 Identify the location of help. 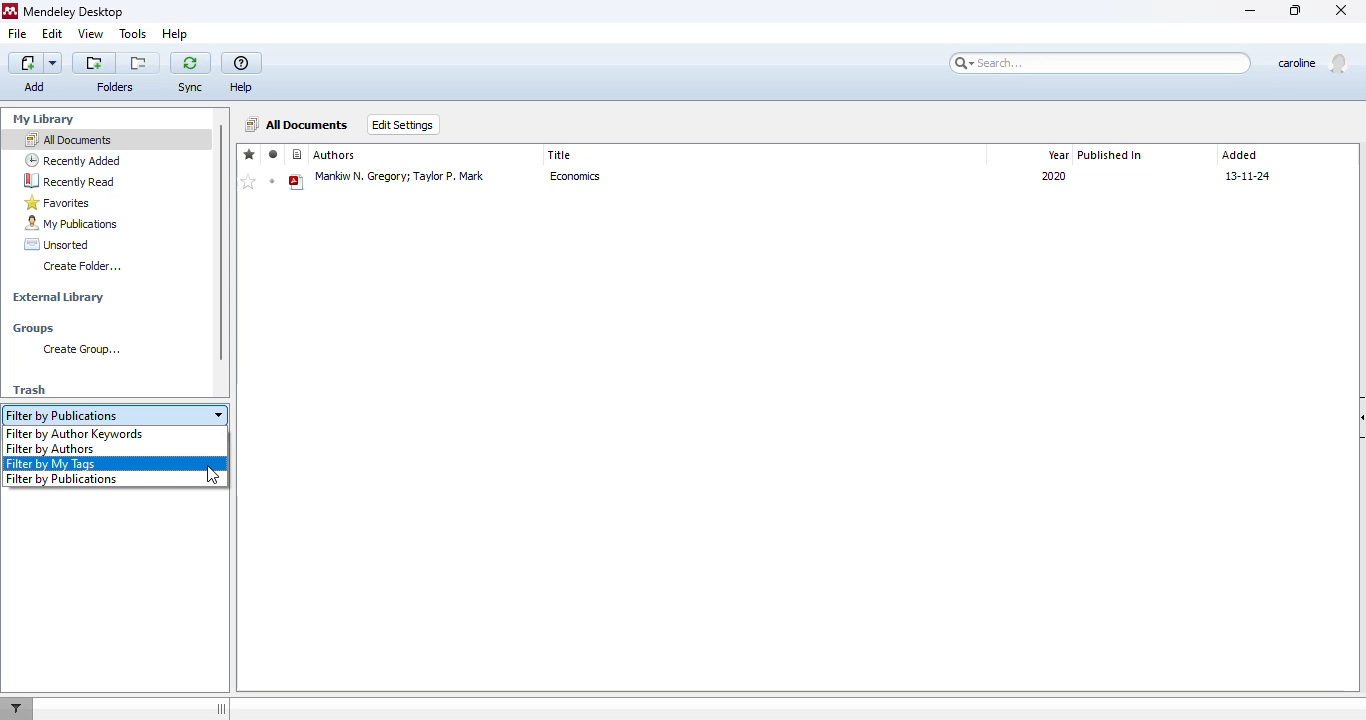
(241, 87).